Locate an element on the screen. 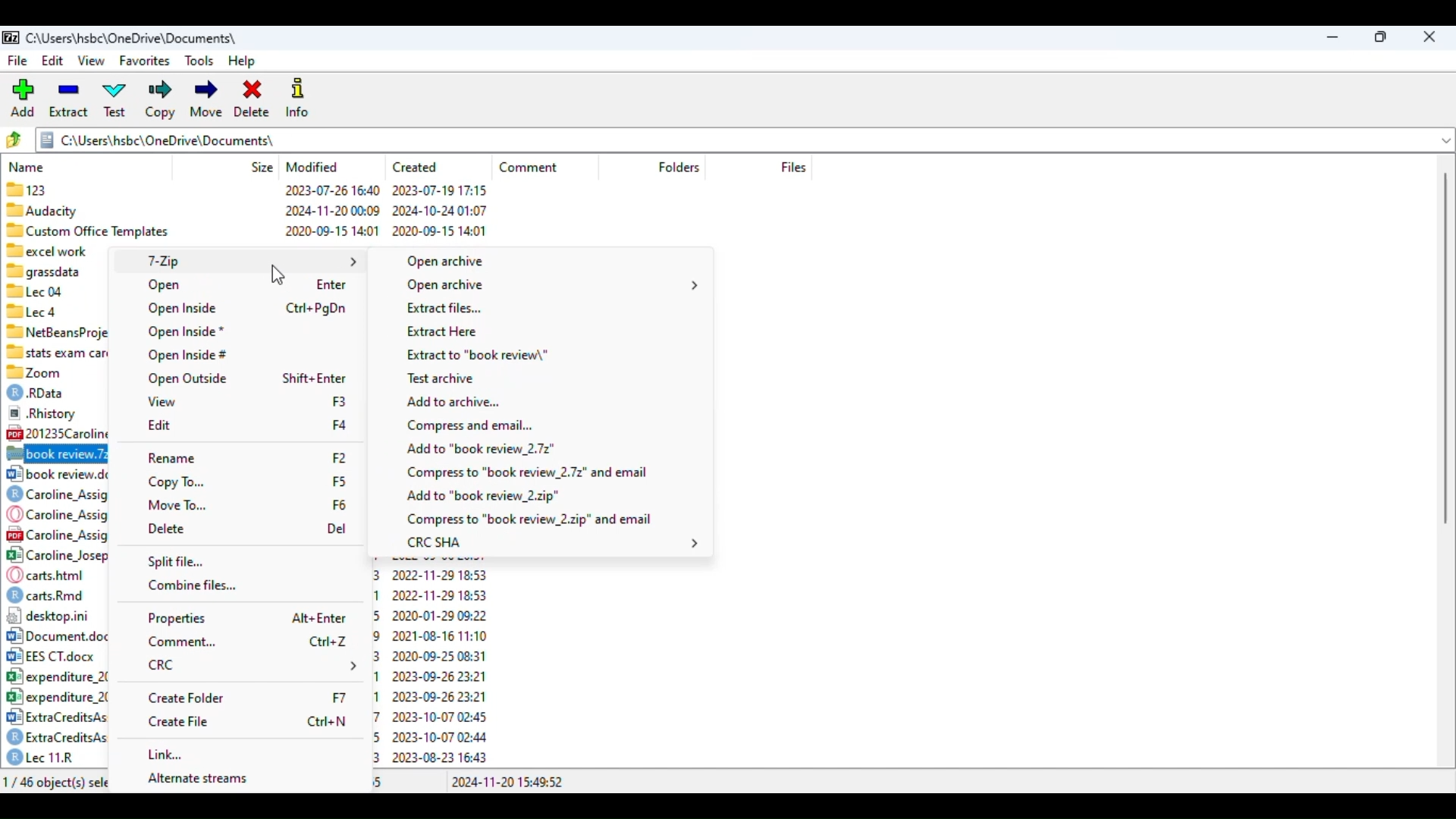 This screenshot has height=819, width=1456. create folder is located at coordinates (185, 698).